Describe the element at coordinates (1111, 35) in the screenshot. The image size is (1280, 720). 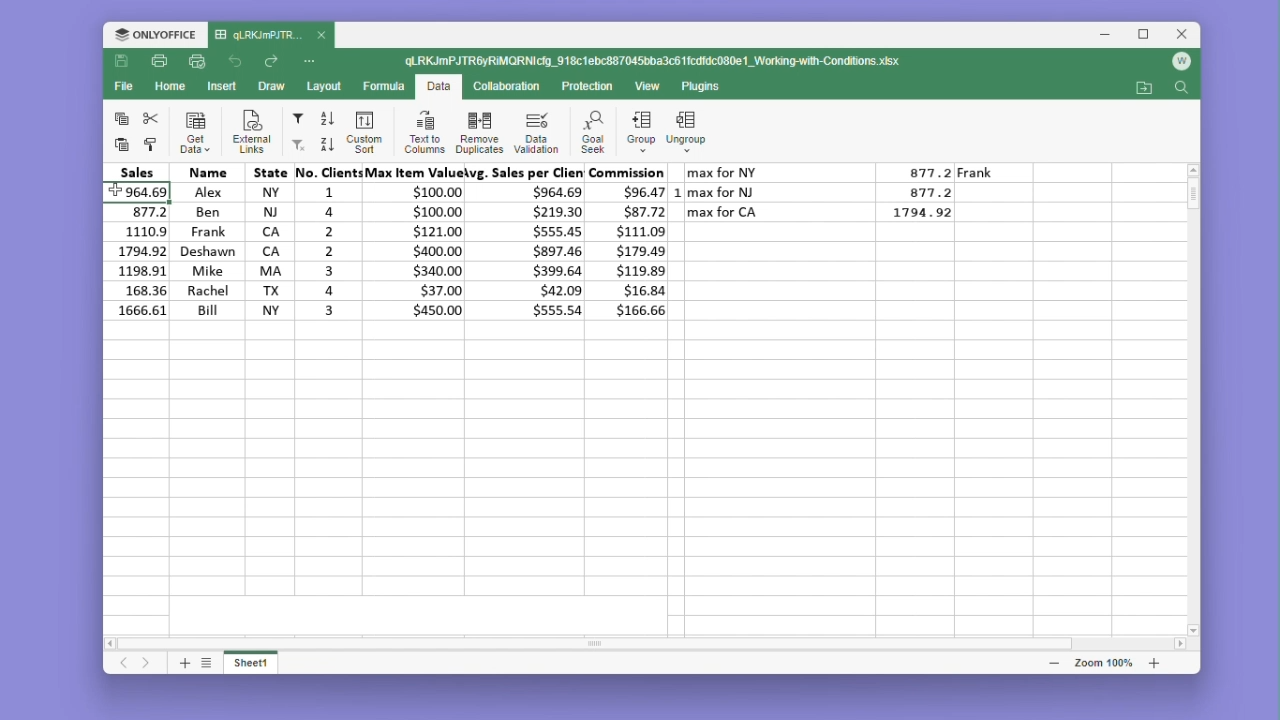
I see `Minimise ` at that location.